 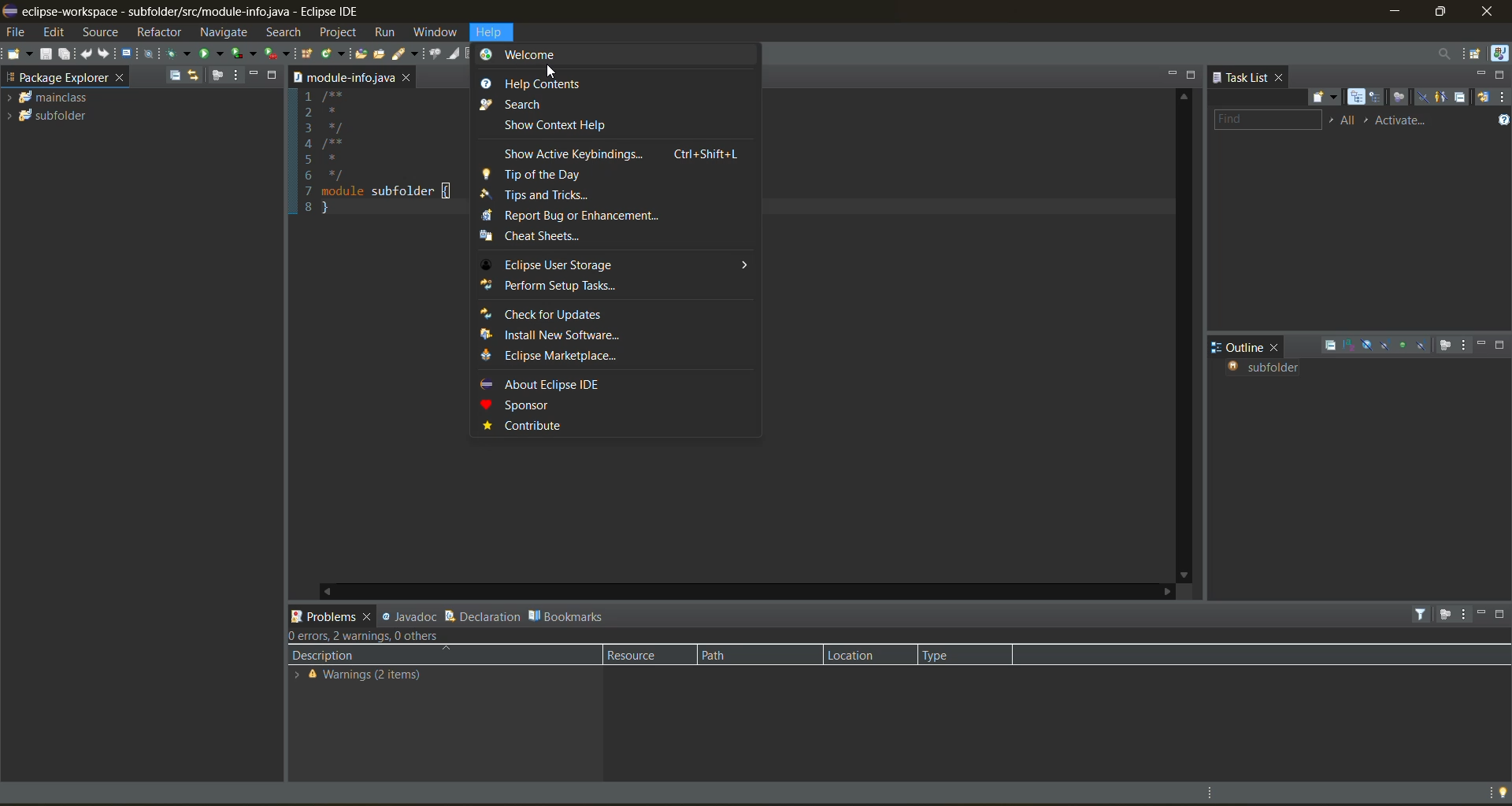 I want to click on run last tool, so click(x=280, y=54).